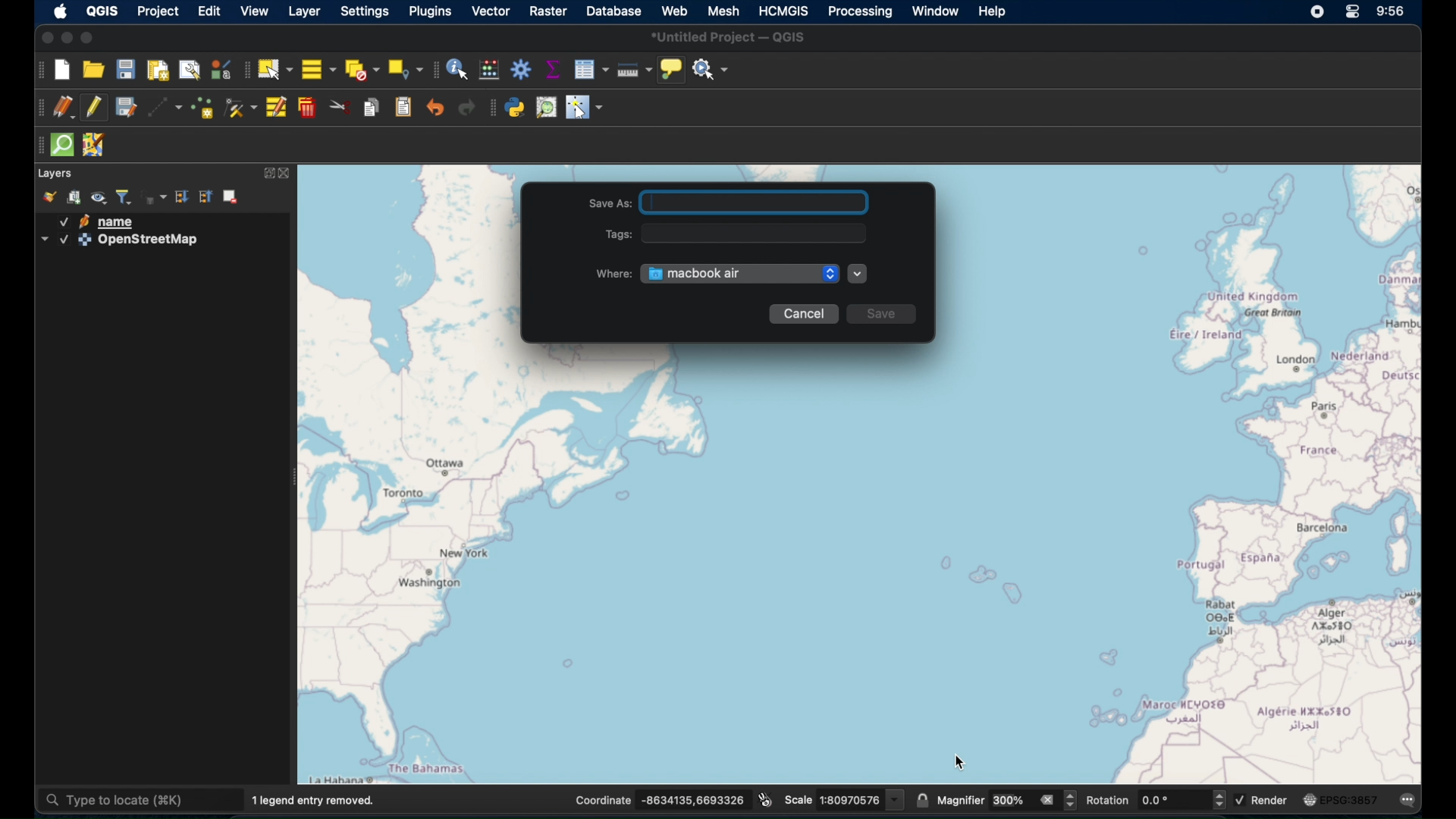  Describe the element at coordinates (885, 315) in the screenshot. I see `Save` at that location.